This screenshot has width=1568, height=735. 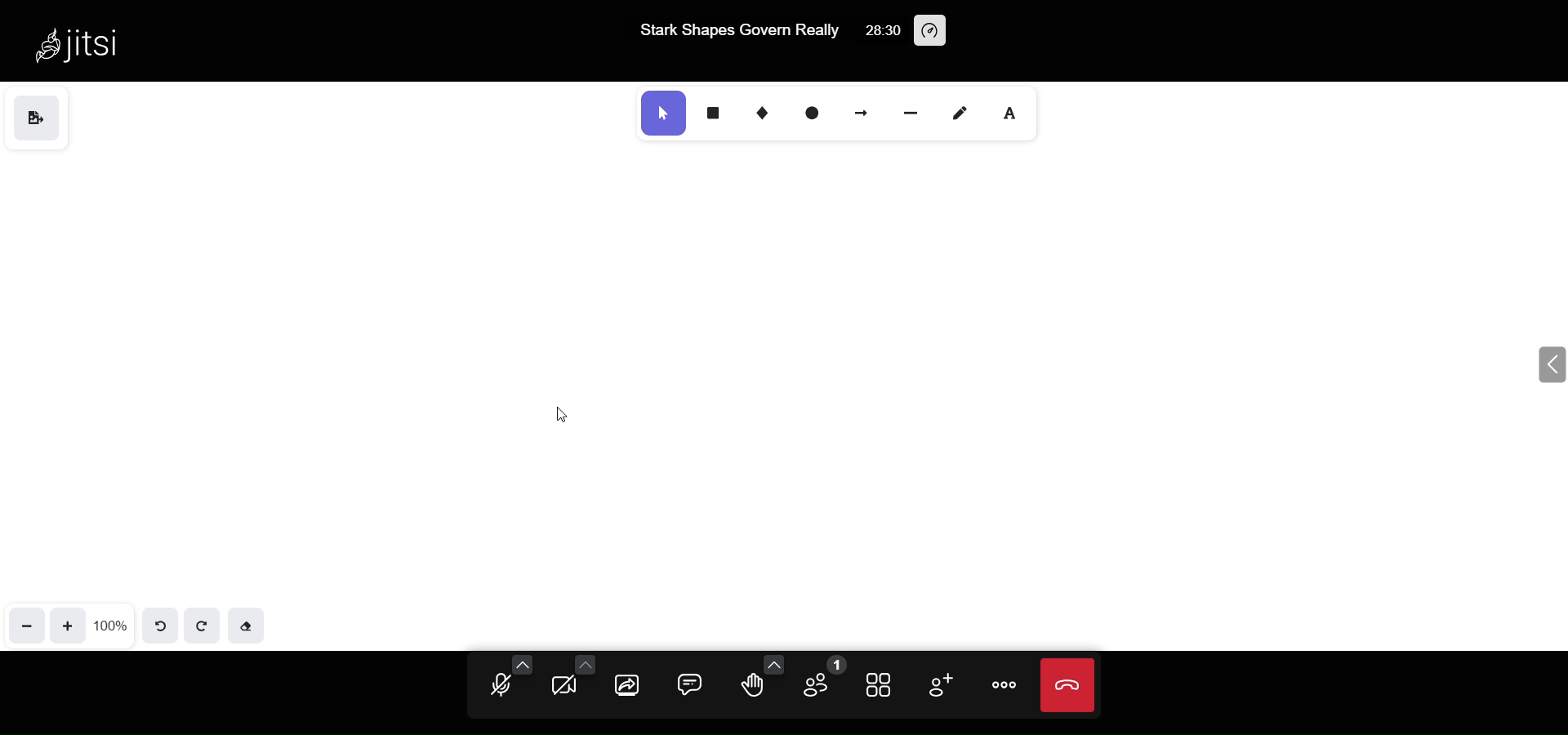 What do you see at coordinates (729, 29) in the screenshot?
I see `Stark Shapes Govern Really` at bounding box center [729, 29].